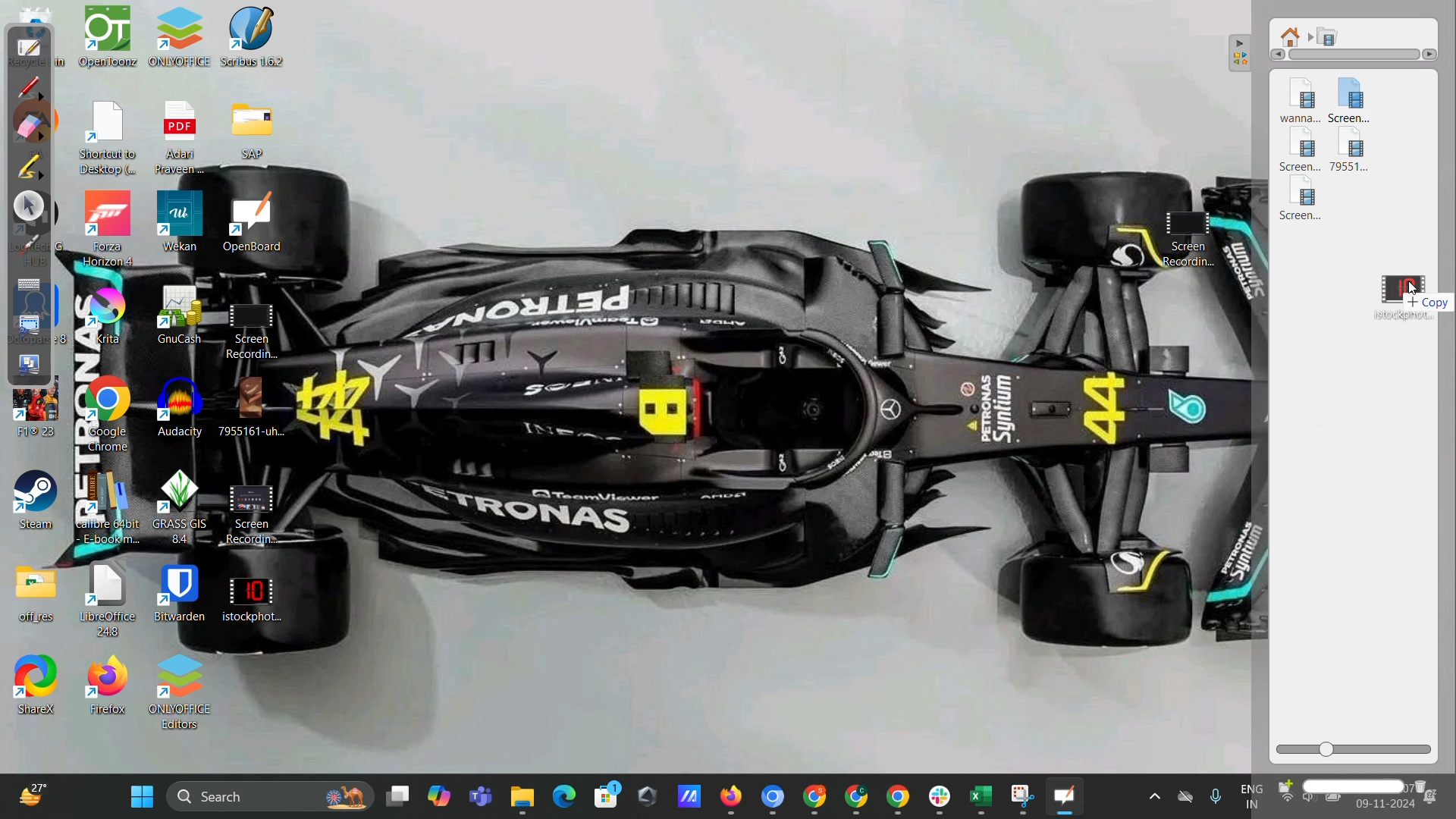 This screenshot has height=819, width=1456. What do you see at coordinates (1068, 797) in the screenshot?
I see `openboard` at bounding box center [1068, 797].